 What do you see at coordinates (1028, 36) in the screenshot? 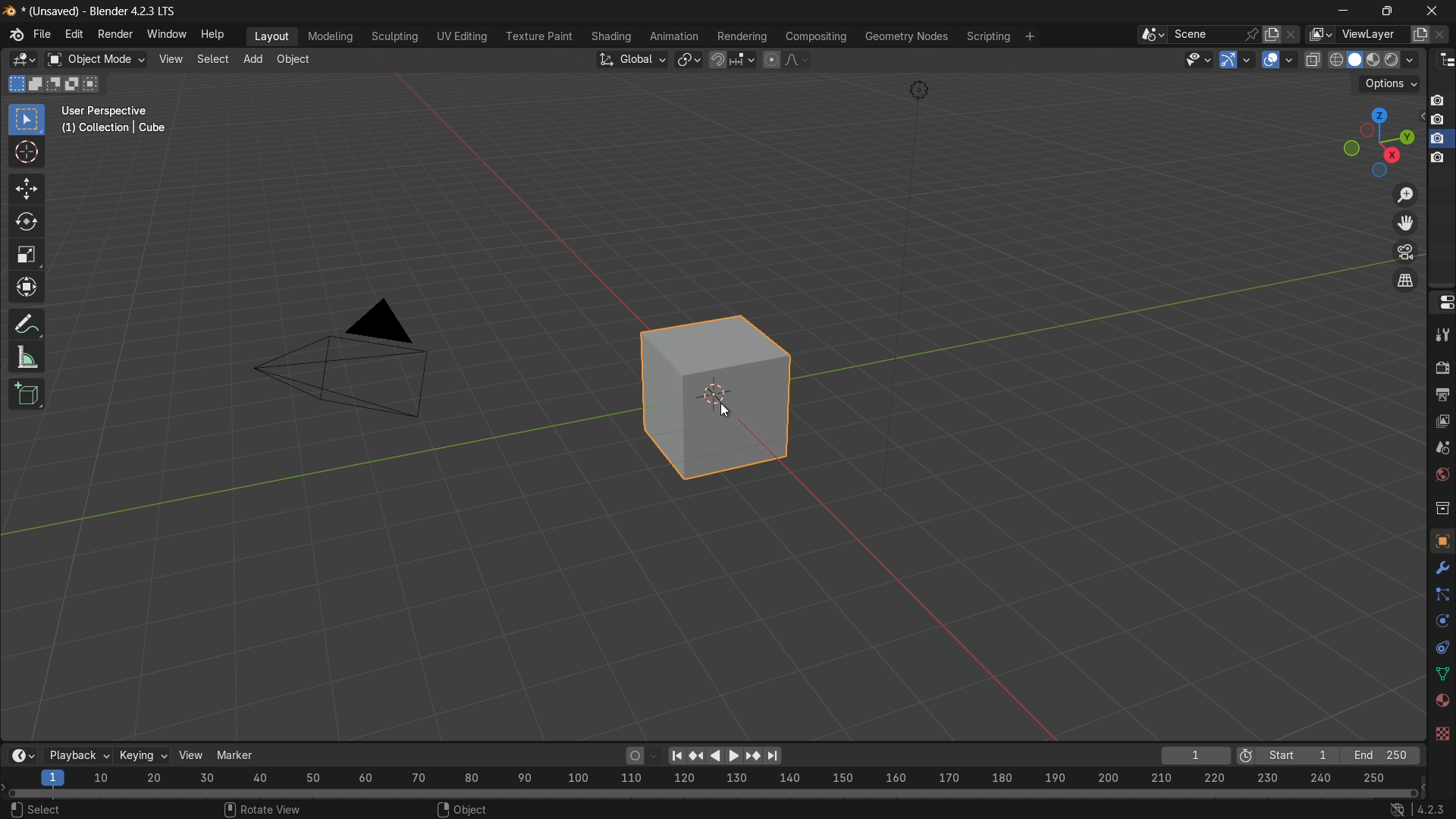
I see `add workspace` at bounding box center [1028, 36].